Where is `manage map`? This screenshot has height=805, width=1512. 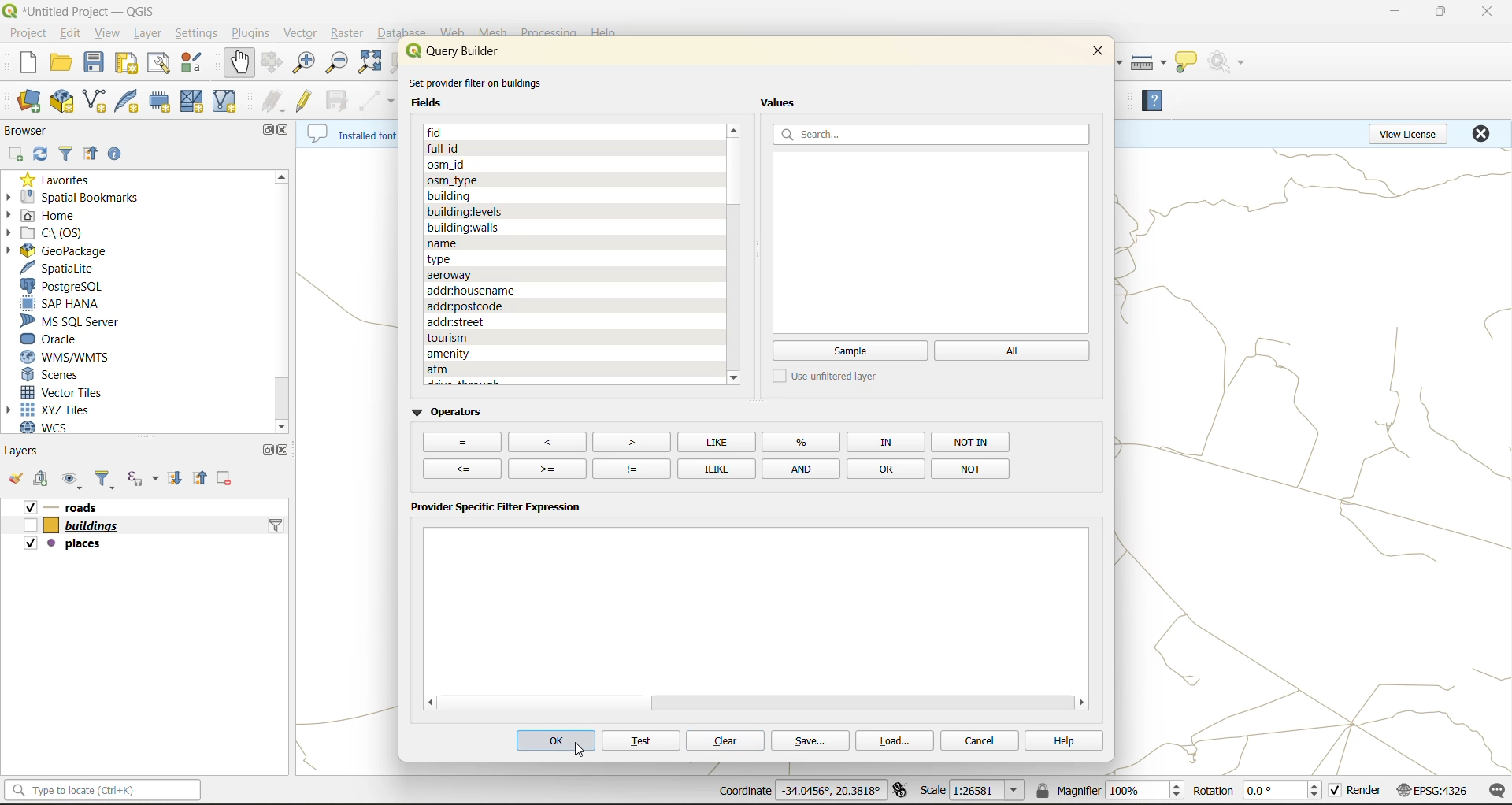 manage map is located at coordinates (71, 478).